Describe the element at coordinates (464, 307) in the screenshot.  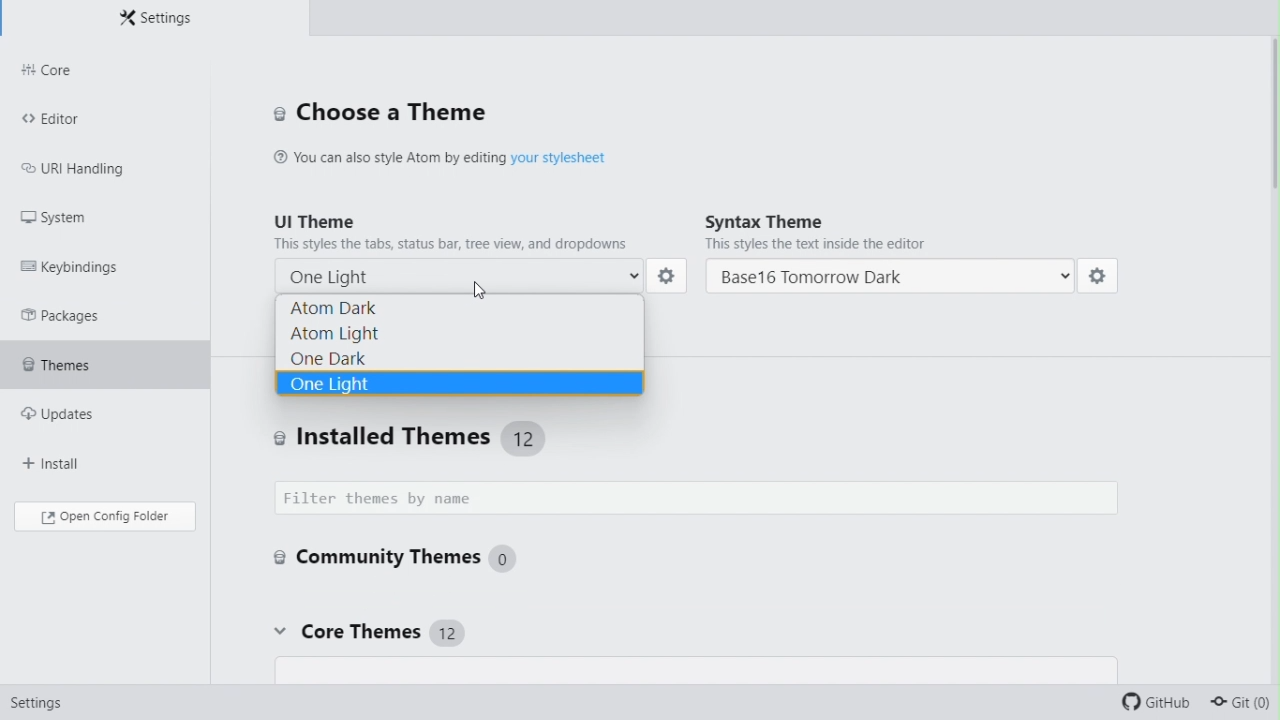
I see `atom dark` at that location.